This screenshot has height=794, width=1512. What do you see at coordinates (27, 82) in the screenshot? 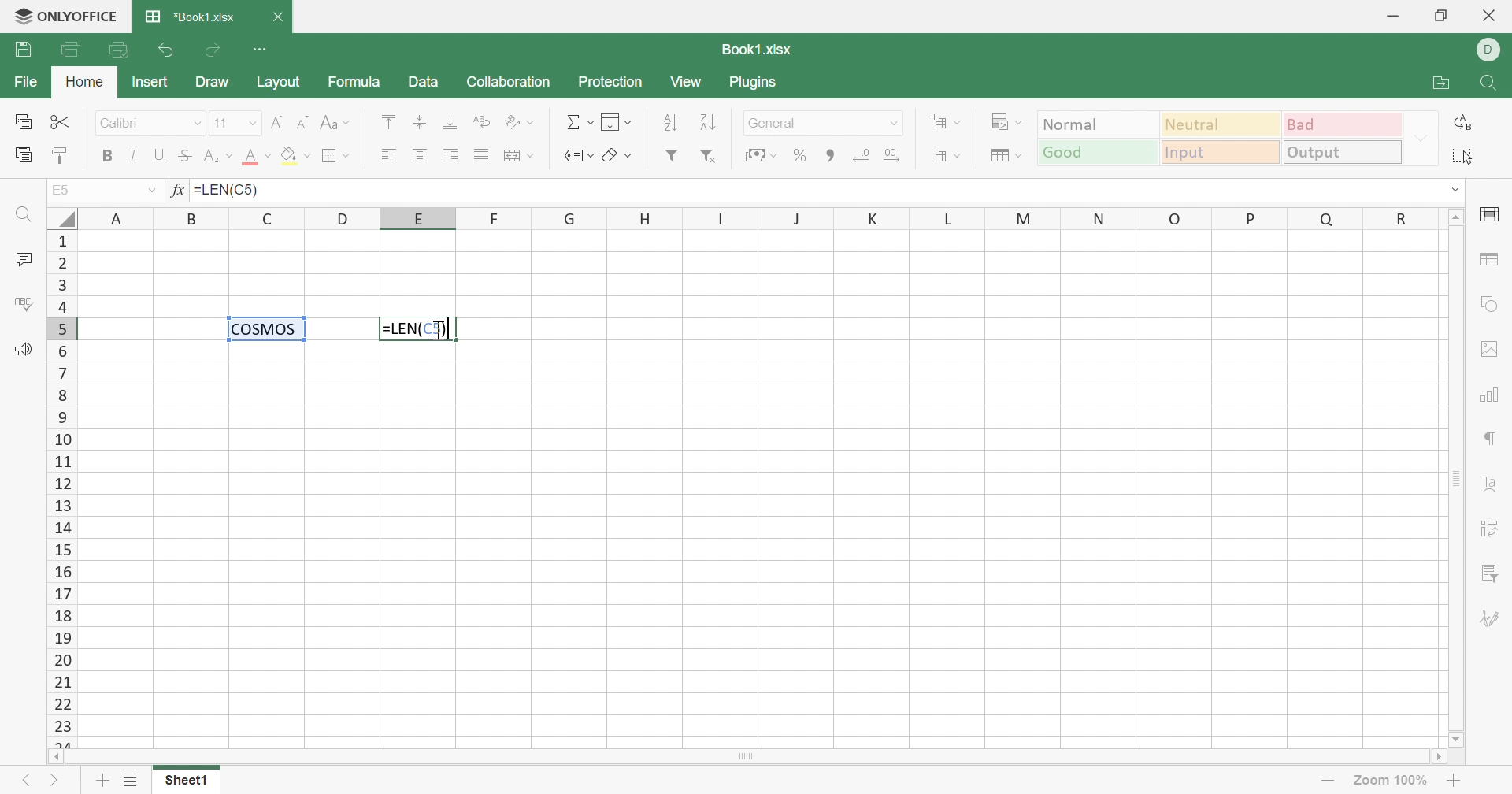
I see `File` at bounding box center [27, 82].